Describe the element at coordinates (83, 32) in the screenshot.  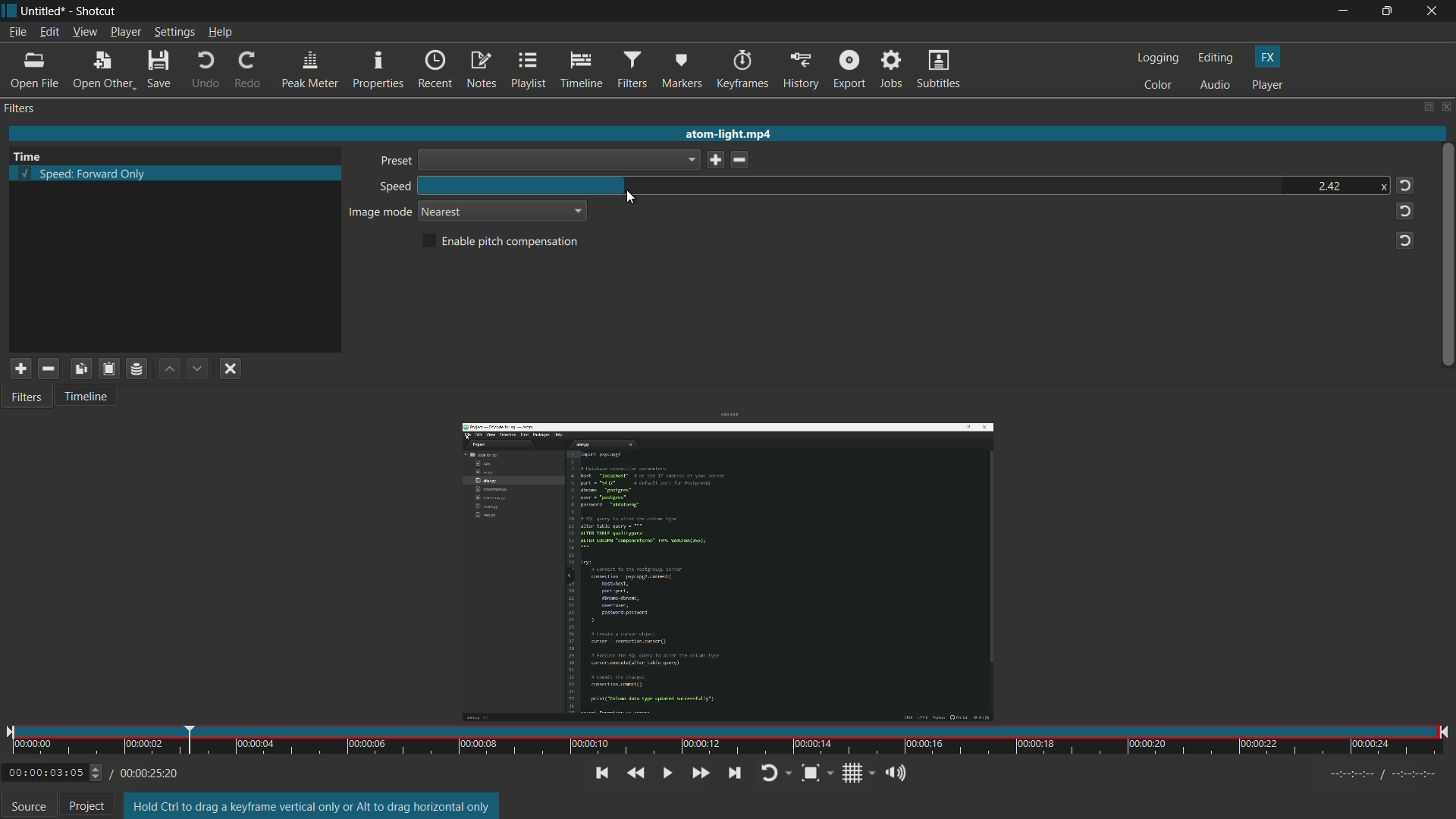
I see `view menu` at that location.